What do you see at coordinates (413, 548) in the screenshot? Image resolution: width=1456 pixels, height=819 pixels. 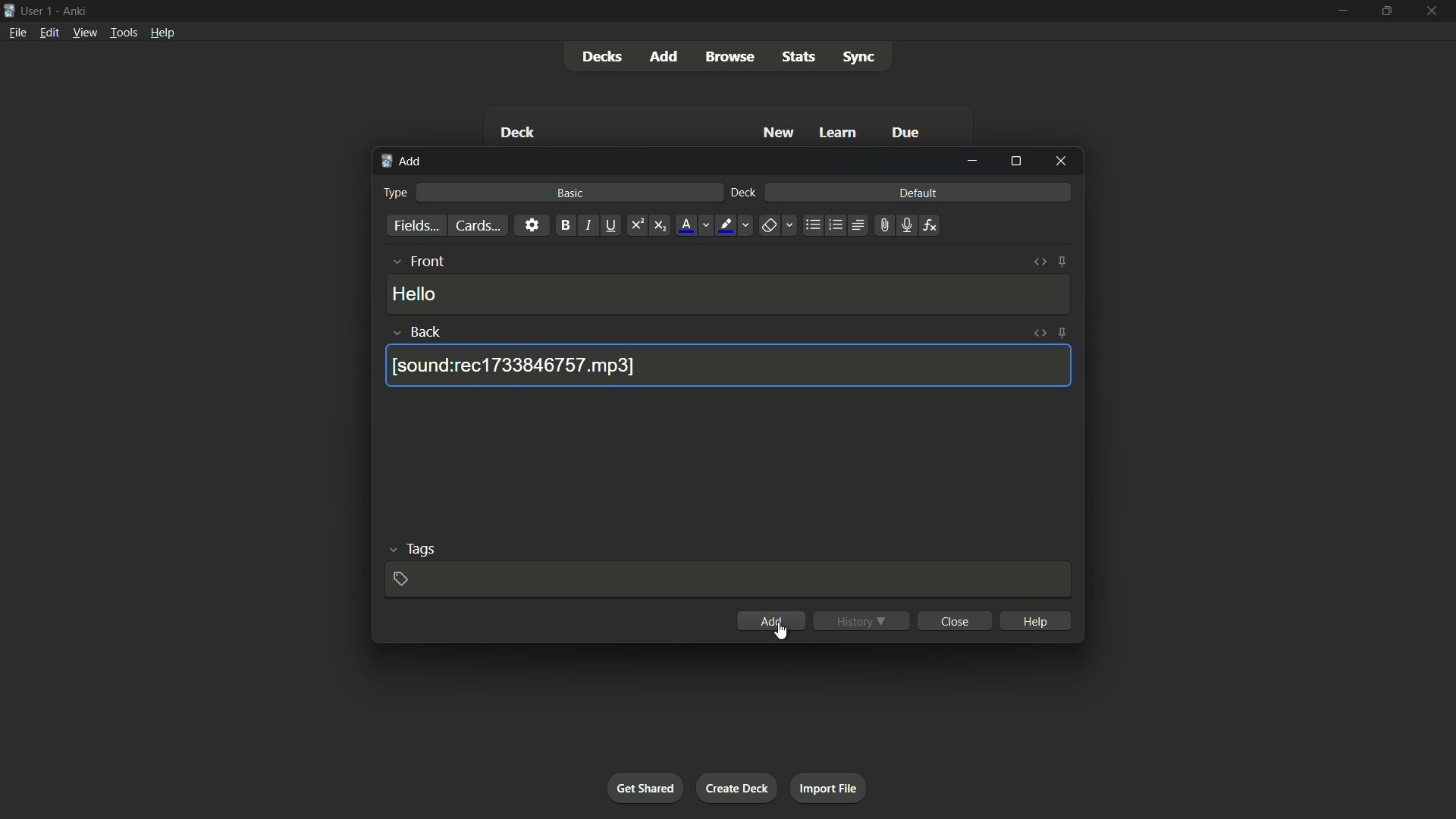 I see `tags` at bounding box center [413, 548].